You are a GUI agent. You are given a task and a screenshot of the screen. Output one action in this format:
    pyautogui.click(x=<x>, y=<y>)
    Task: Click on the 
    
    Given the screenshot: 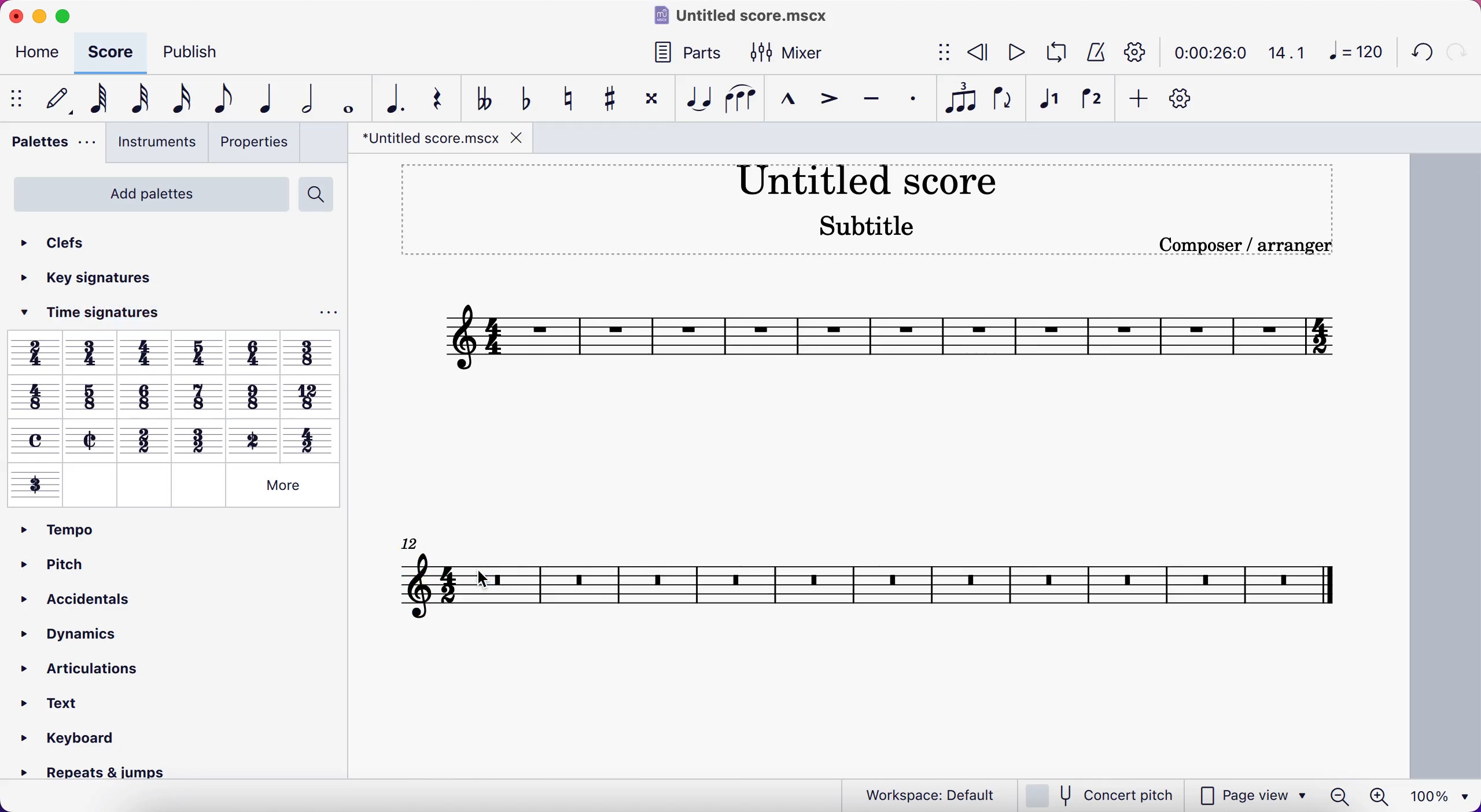 What is the action you would take?
    pyautogui.click(x=74, y=598)
    